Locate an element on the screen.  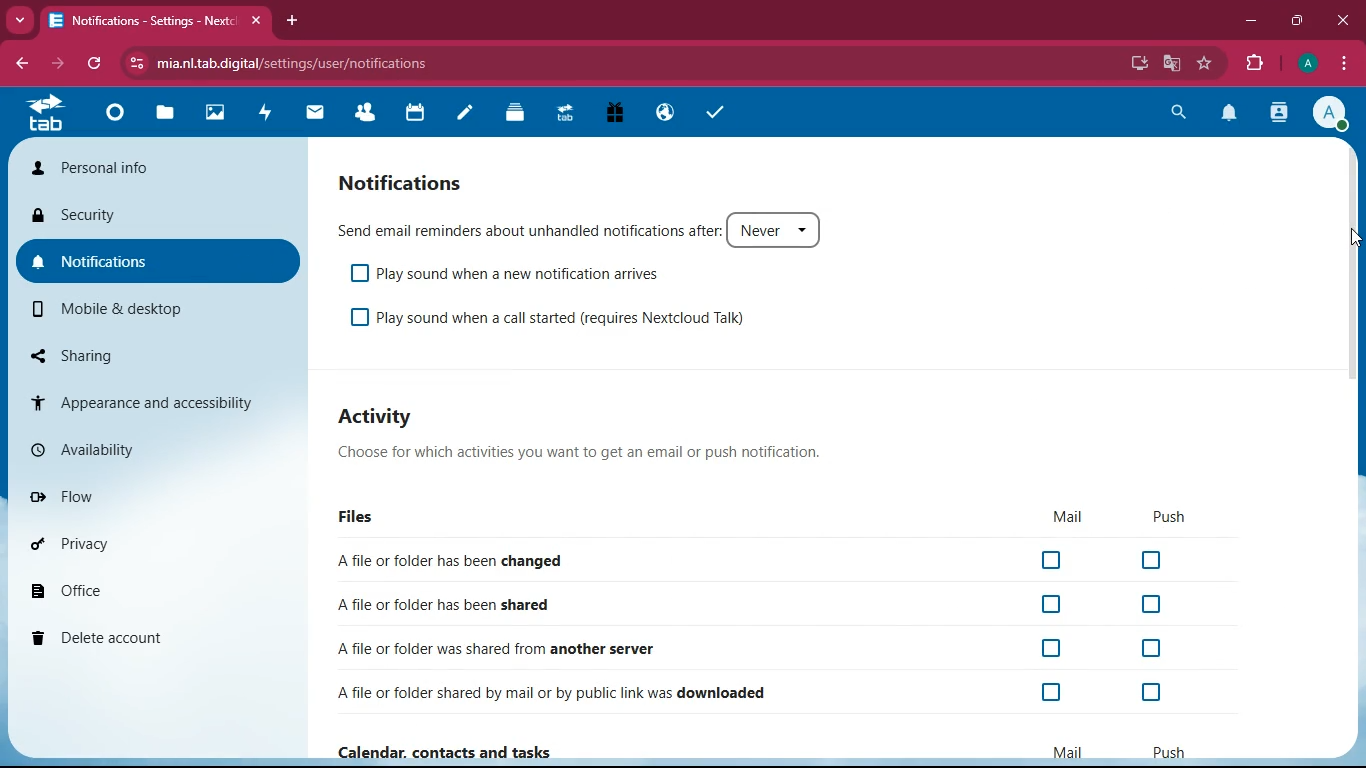
extensions is located at coordinates (1255, 66).